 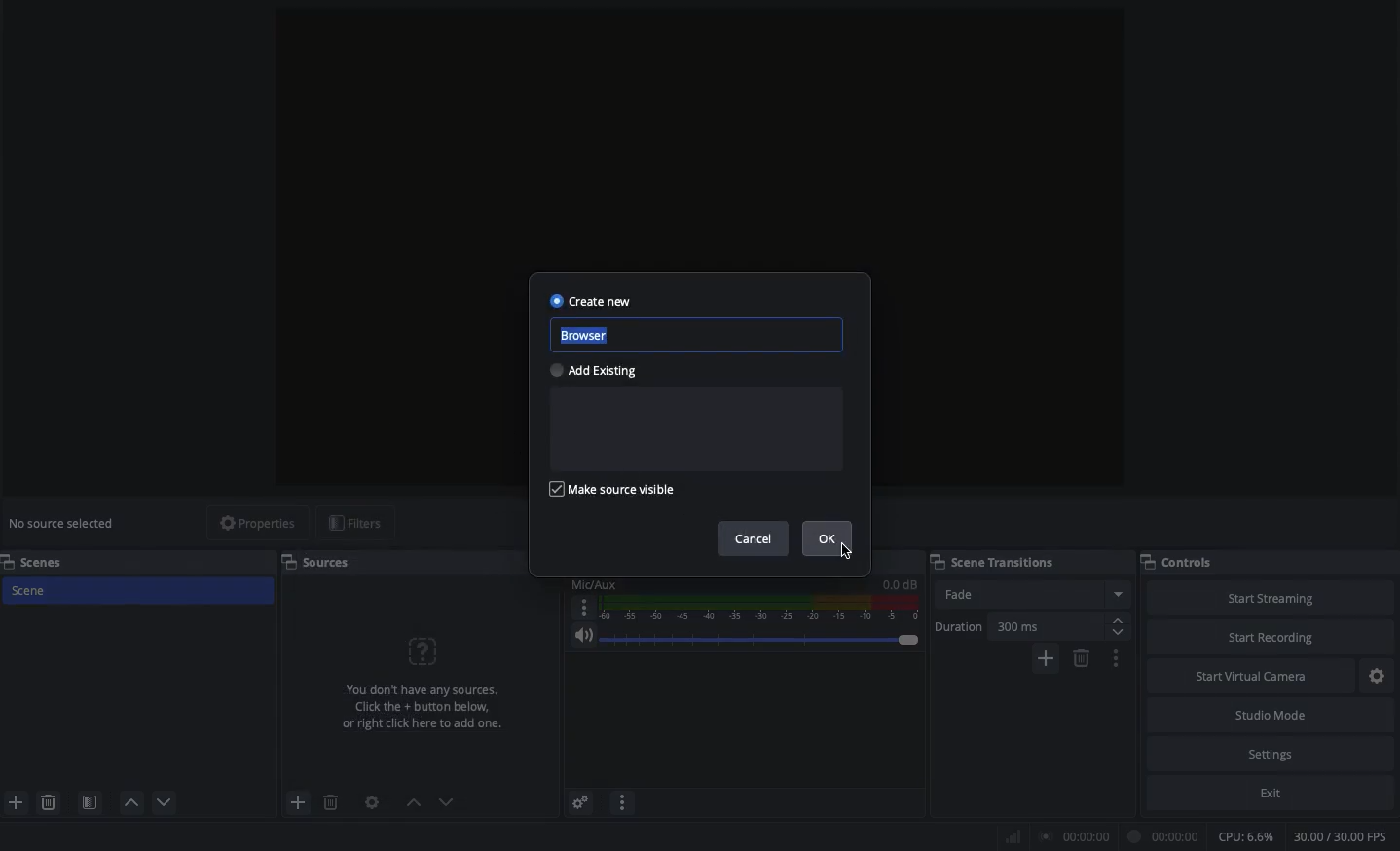 I want to click on No source selected, so click(x=62, y=524).